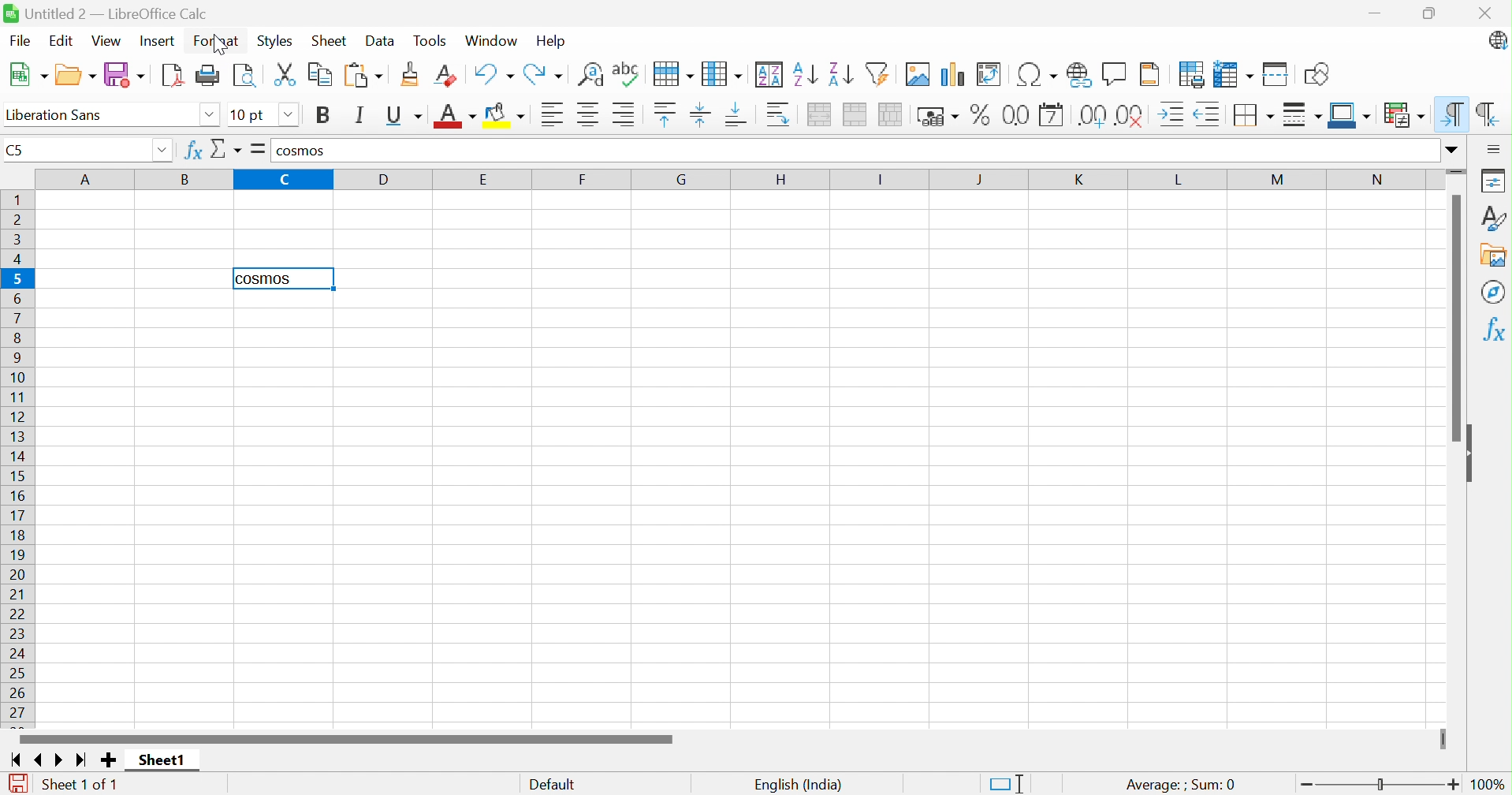  What do you see at coordinates (107, 41) in the screenshot?
I see `View` at bounding box center [107, 41].